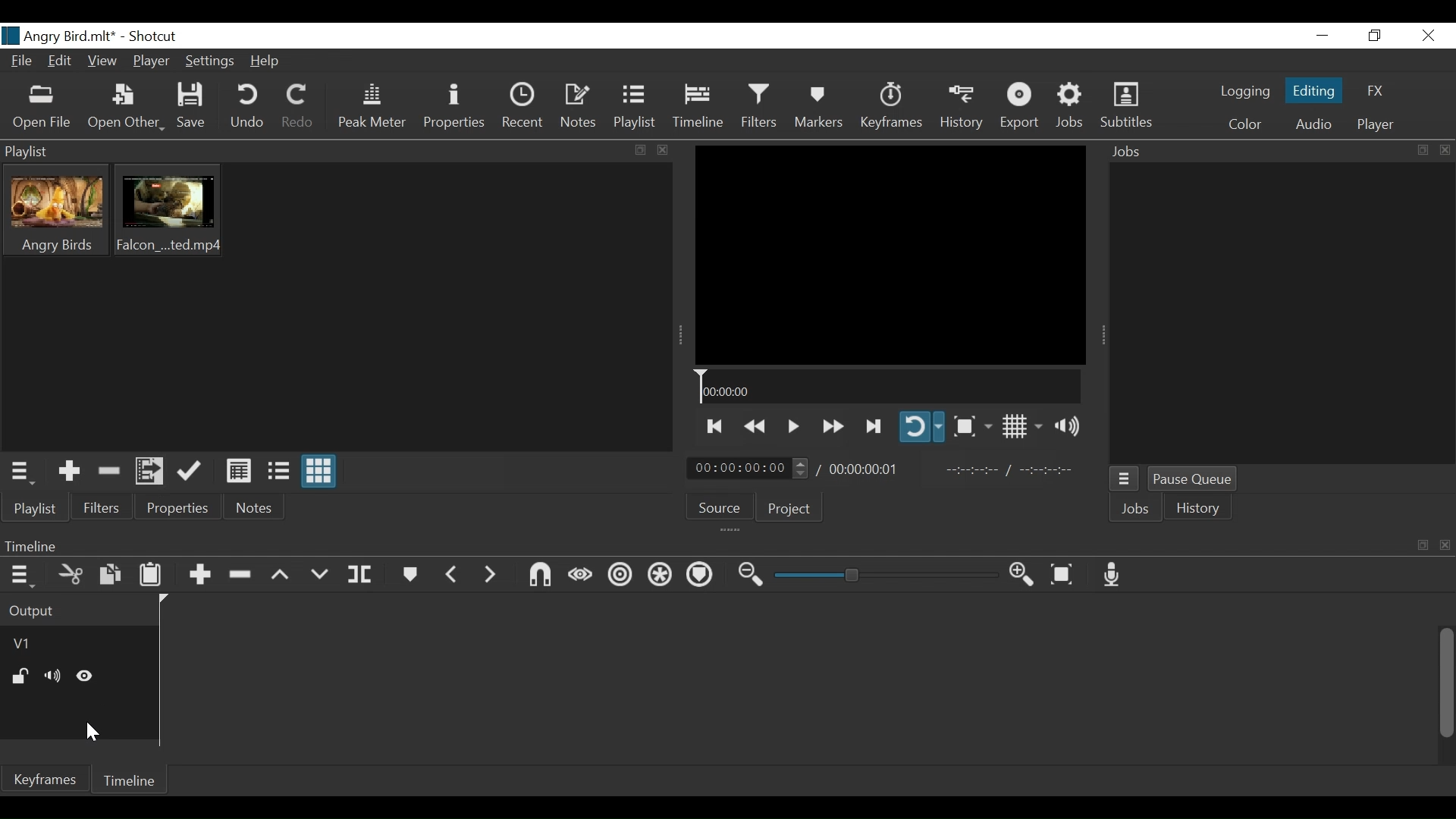  Describe the element at coordinates (152, 576) in the screenshot. I see `Paste` at that location.